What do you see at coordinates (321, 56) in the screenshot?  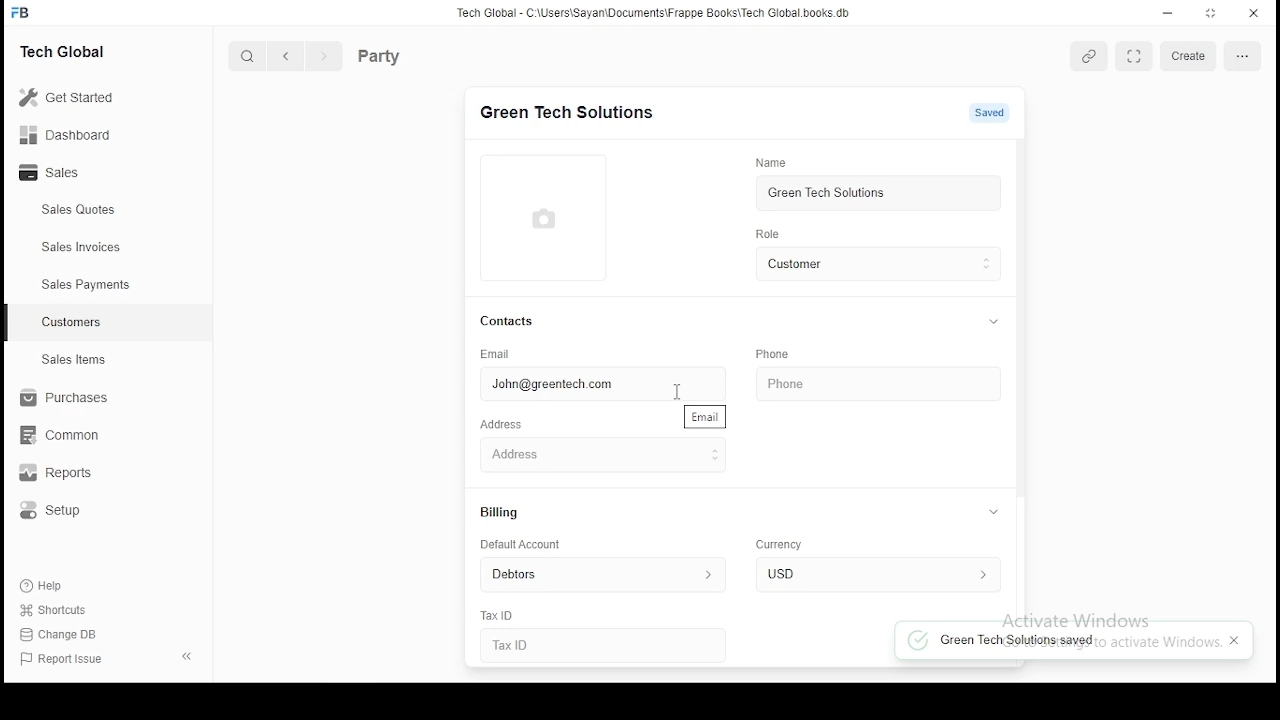 I see `next` at bounding box center [321, 56].